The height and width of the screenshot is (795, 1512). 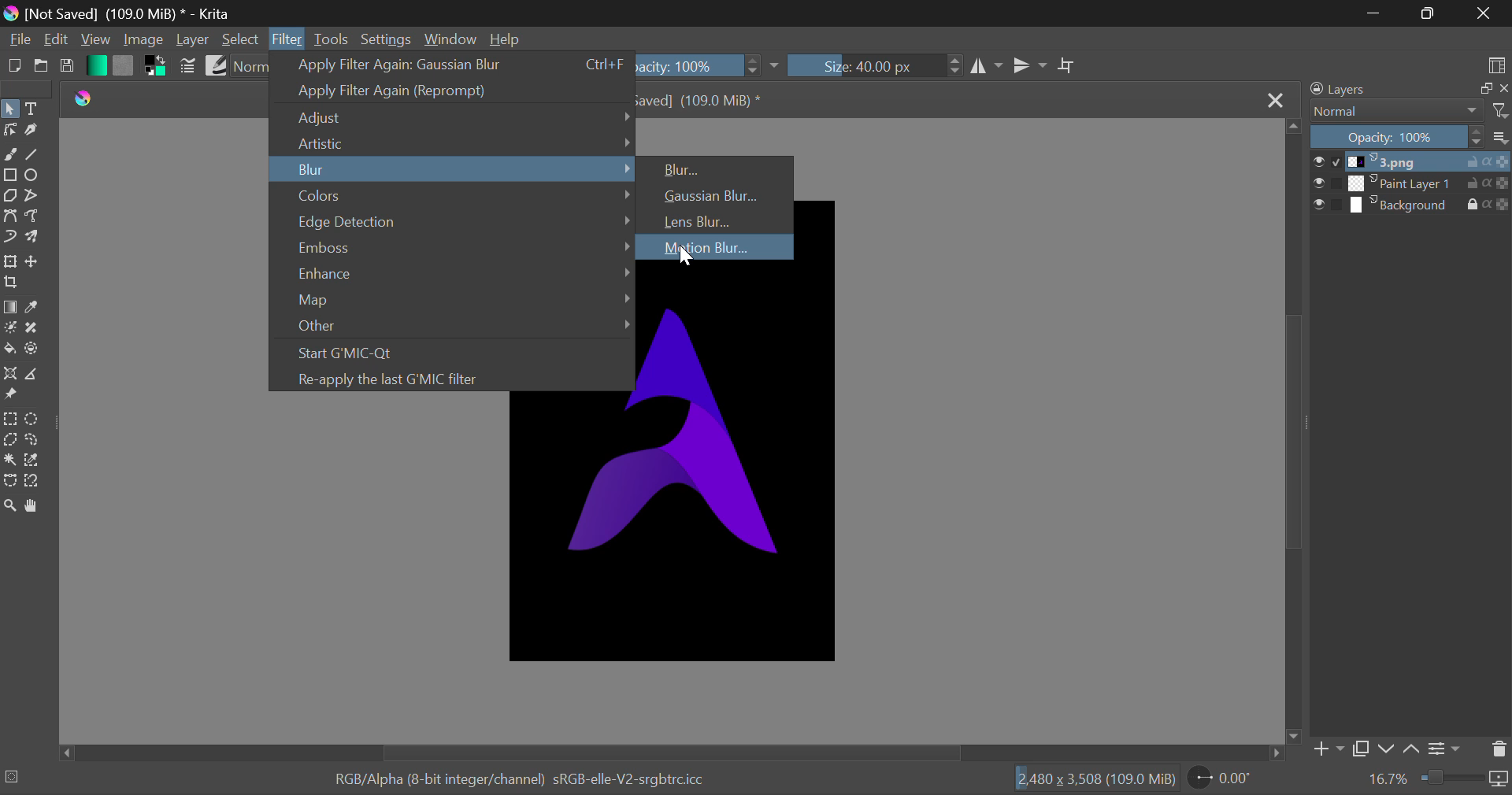 What do you see at coordinates (1277, 102) in the screenshot?
I see `Close` at bounding box center [1277, 102].